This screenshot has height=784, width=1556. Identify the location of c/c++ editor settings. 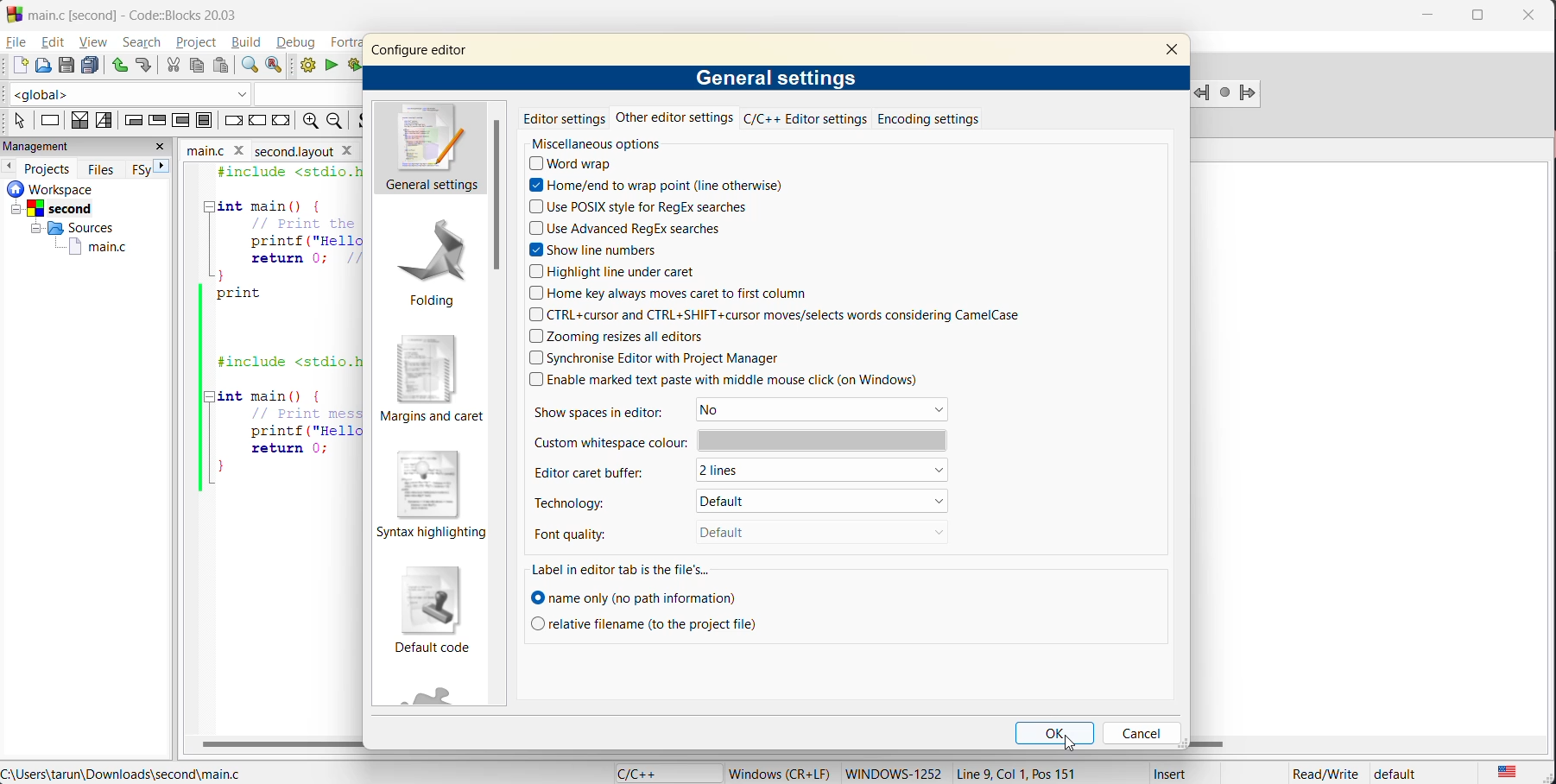
(806, 118).